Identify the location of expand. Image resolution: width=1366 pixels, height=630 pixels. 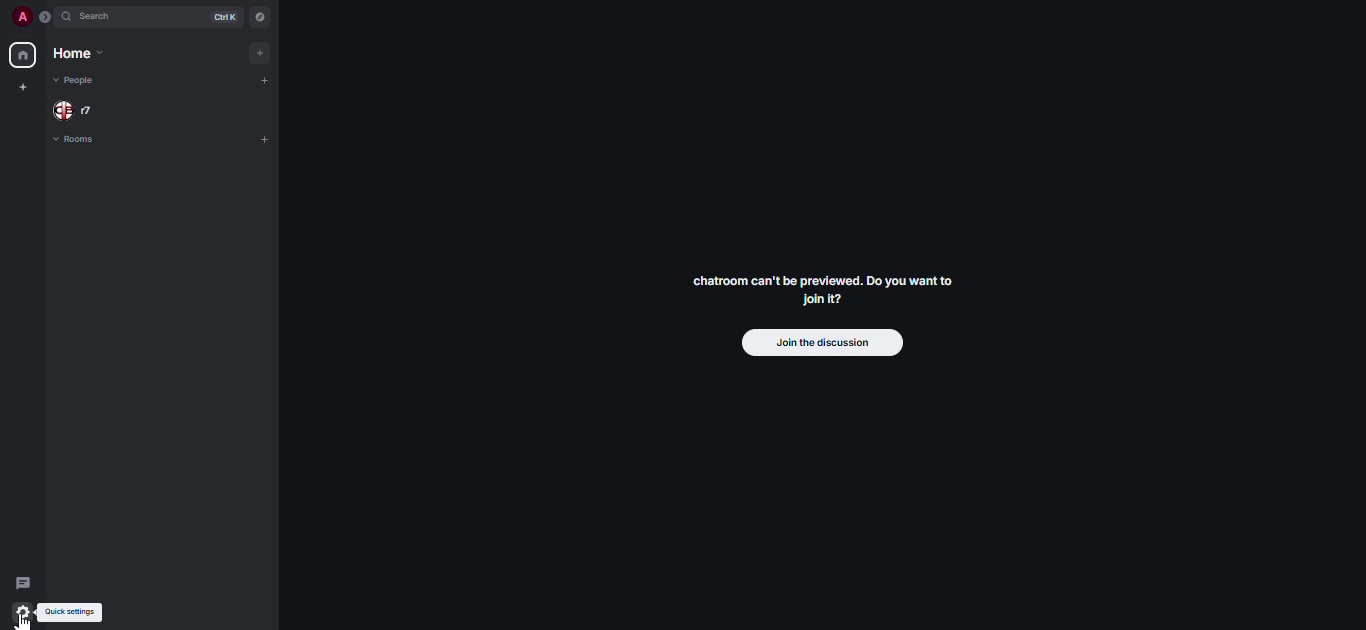
(46, 16).